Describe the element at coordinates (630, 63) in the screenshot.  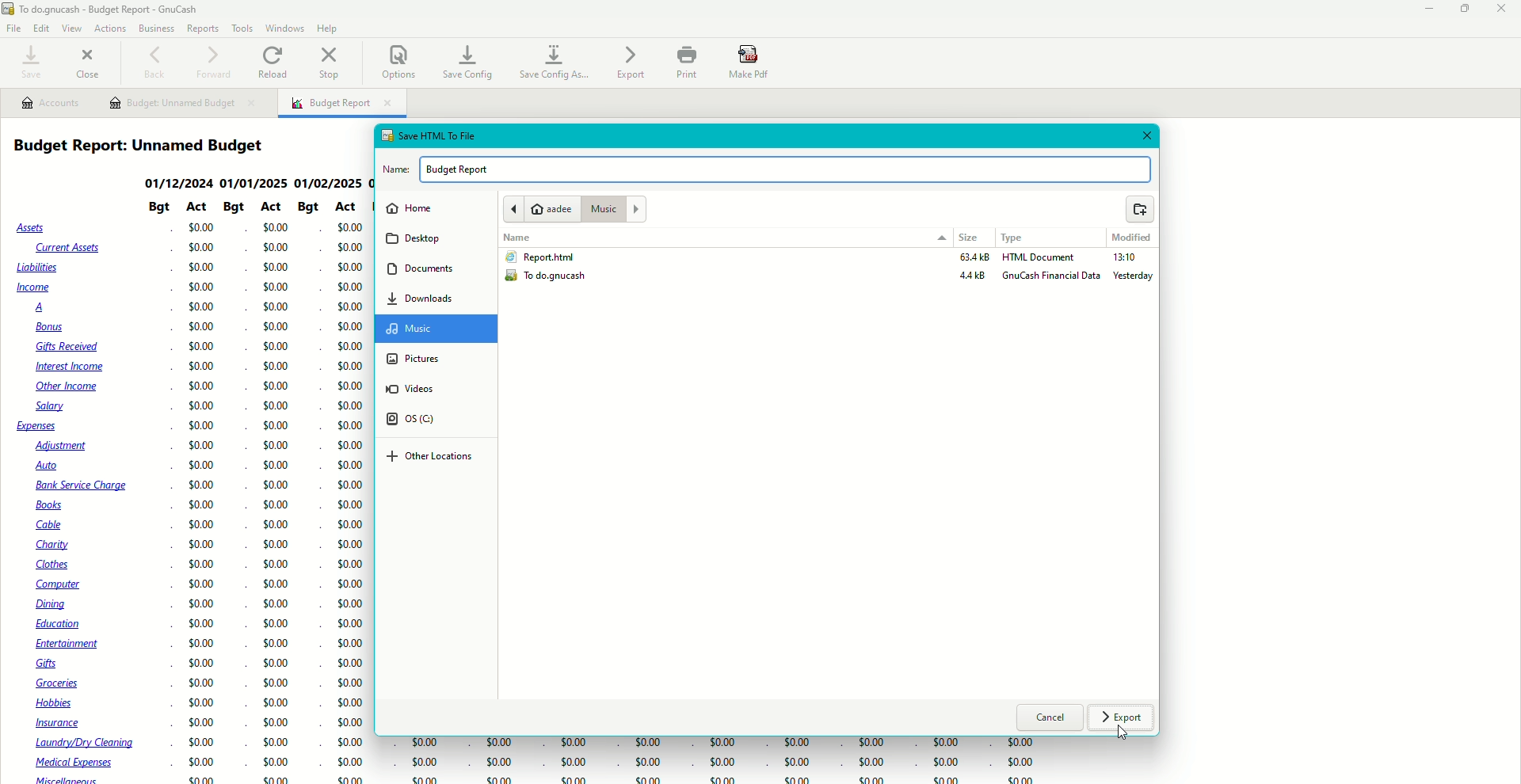
I see `Export` at that location.